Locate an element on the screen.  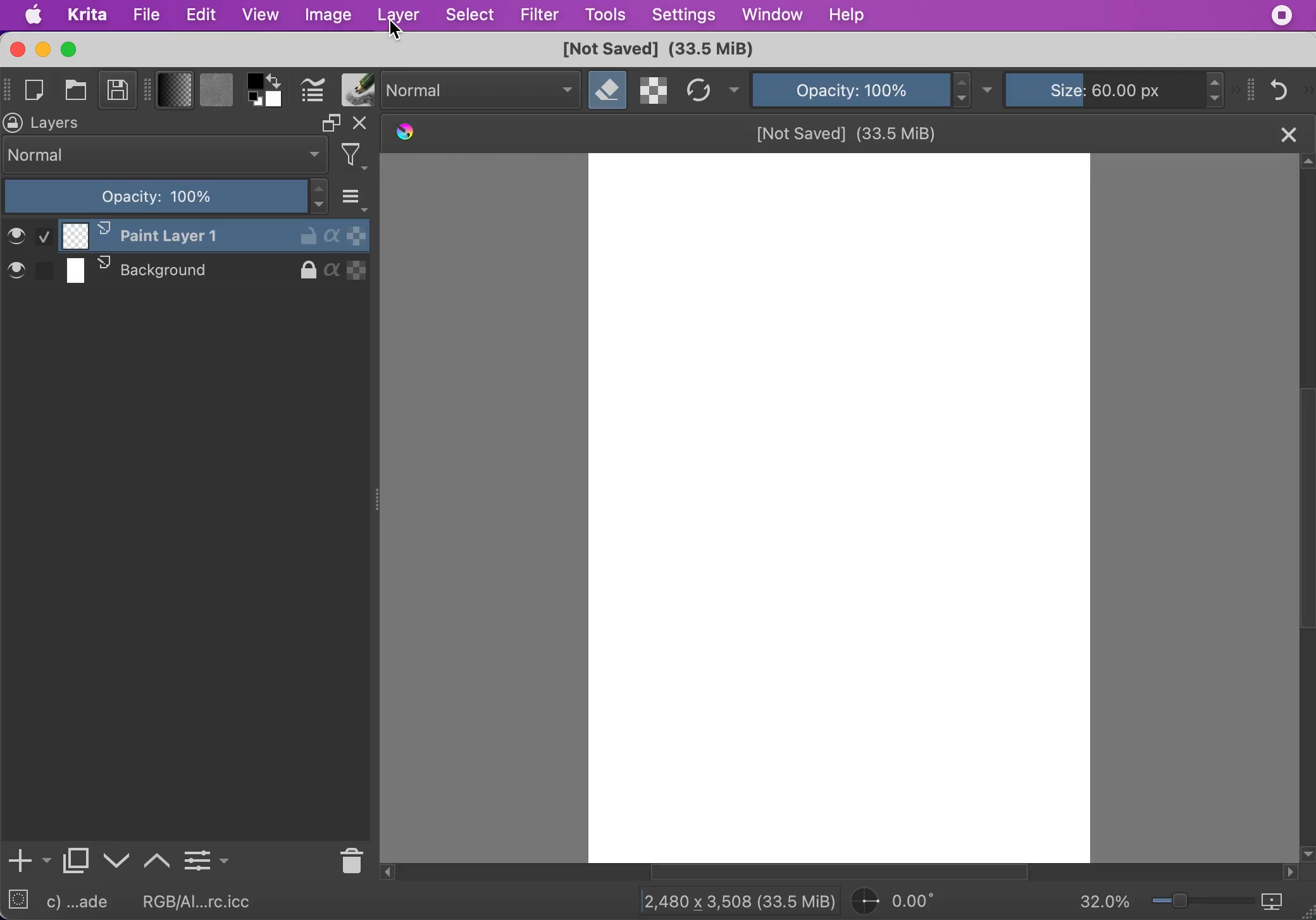
background is located at coordinates (187, 273).